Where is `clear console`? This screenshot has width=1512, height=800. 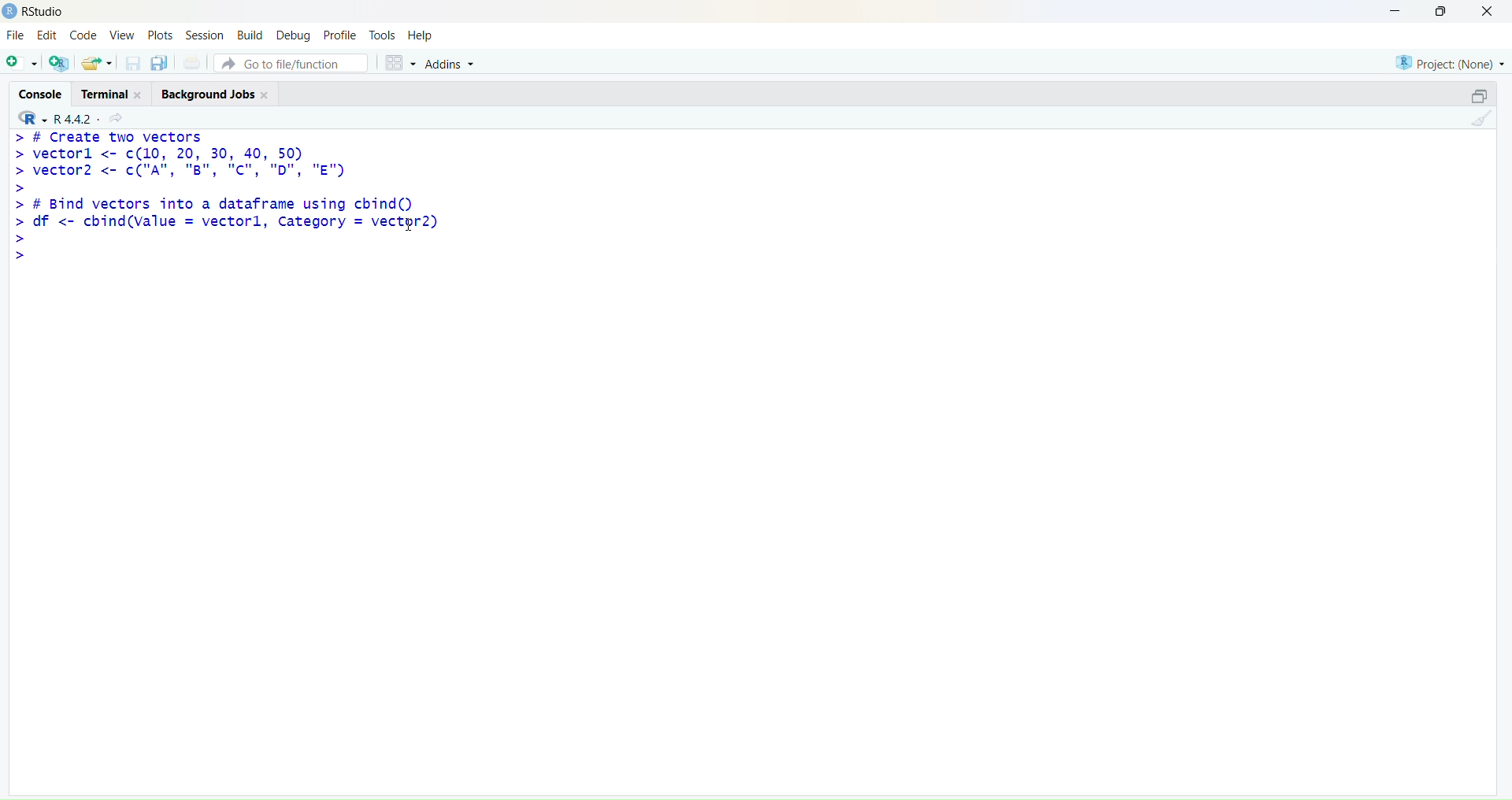
clear console is located at coordinates (1481, 119).